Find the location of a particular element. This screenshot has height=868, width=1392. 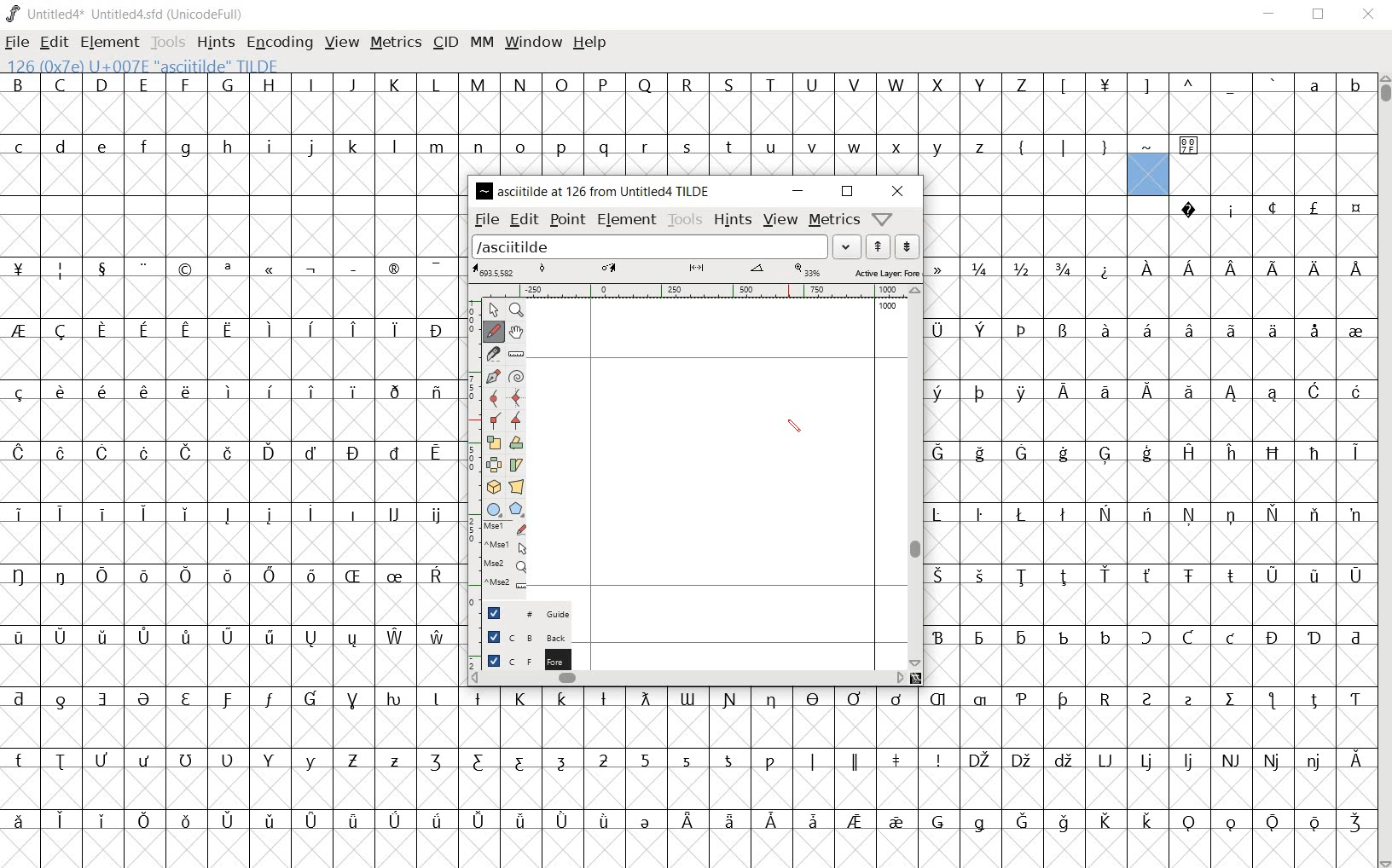

WINDOW is located at coordinates (536, 42).